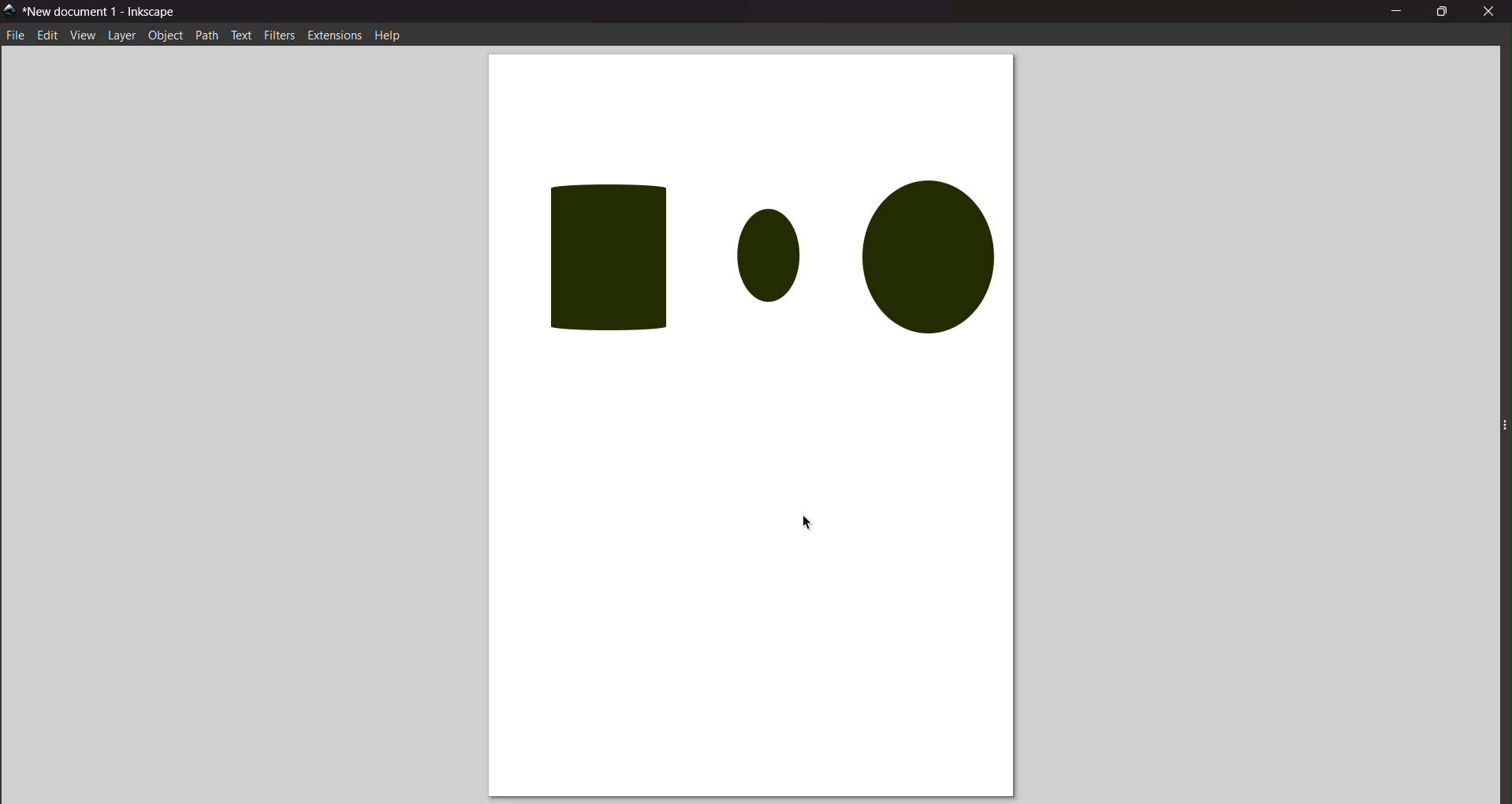 The image size is (1512, 804). What do you see at coordinates (121, 35) in the screenshot?
I see `layer` at bounding box center [121, 35].